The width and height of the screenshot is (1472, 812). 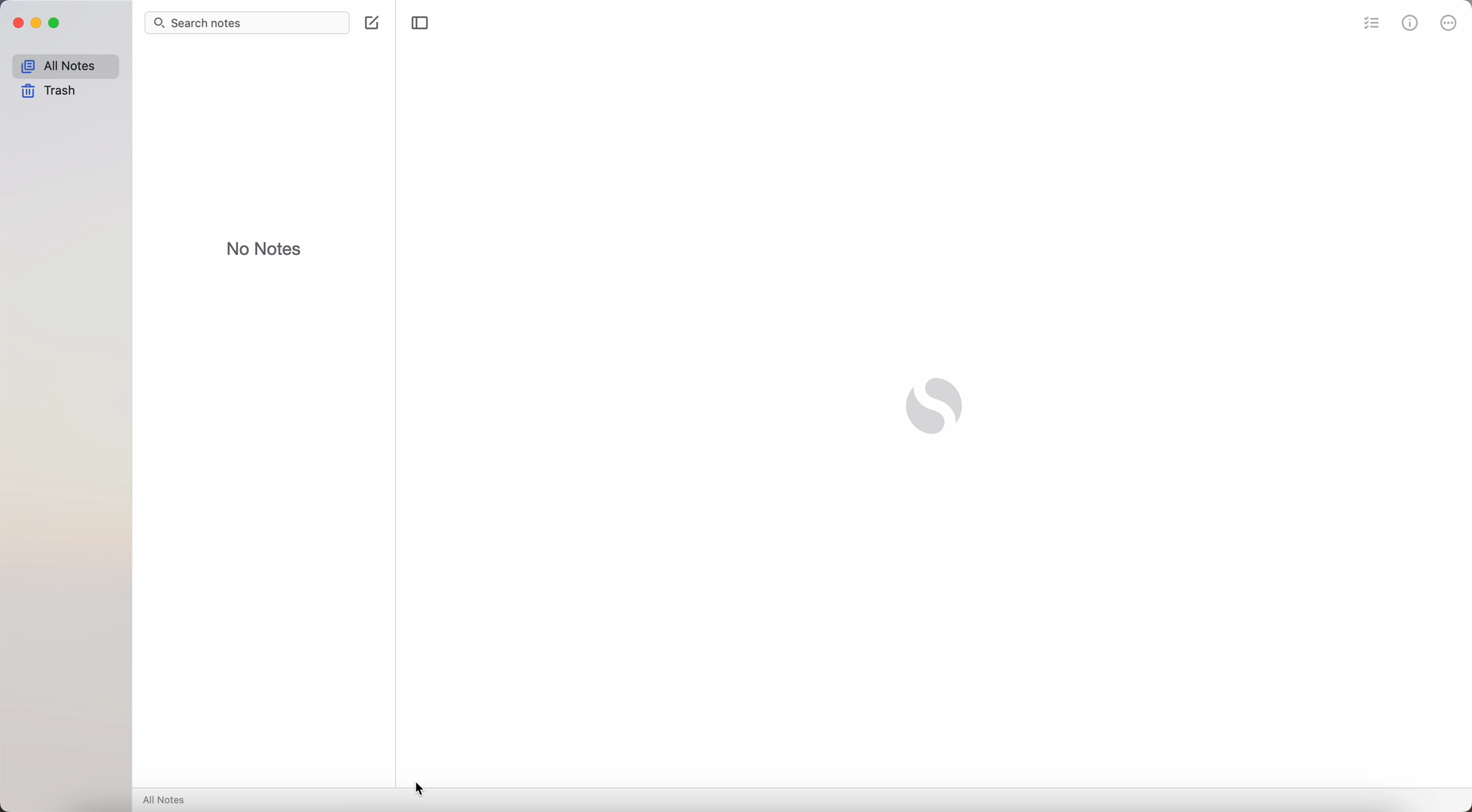 I want to click on toggle sidebar, so click(x=419, y=23).